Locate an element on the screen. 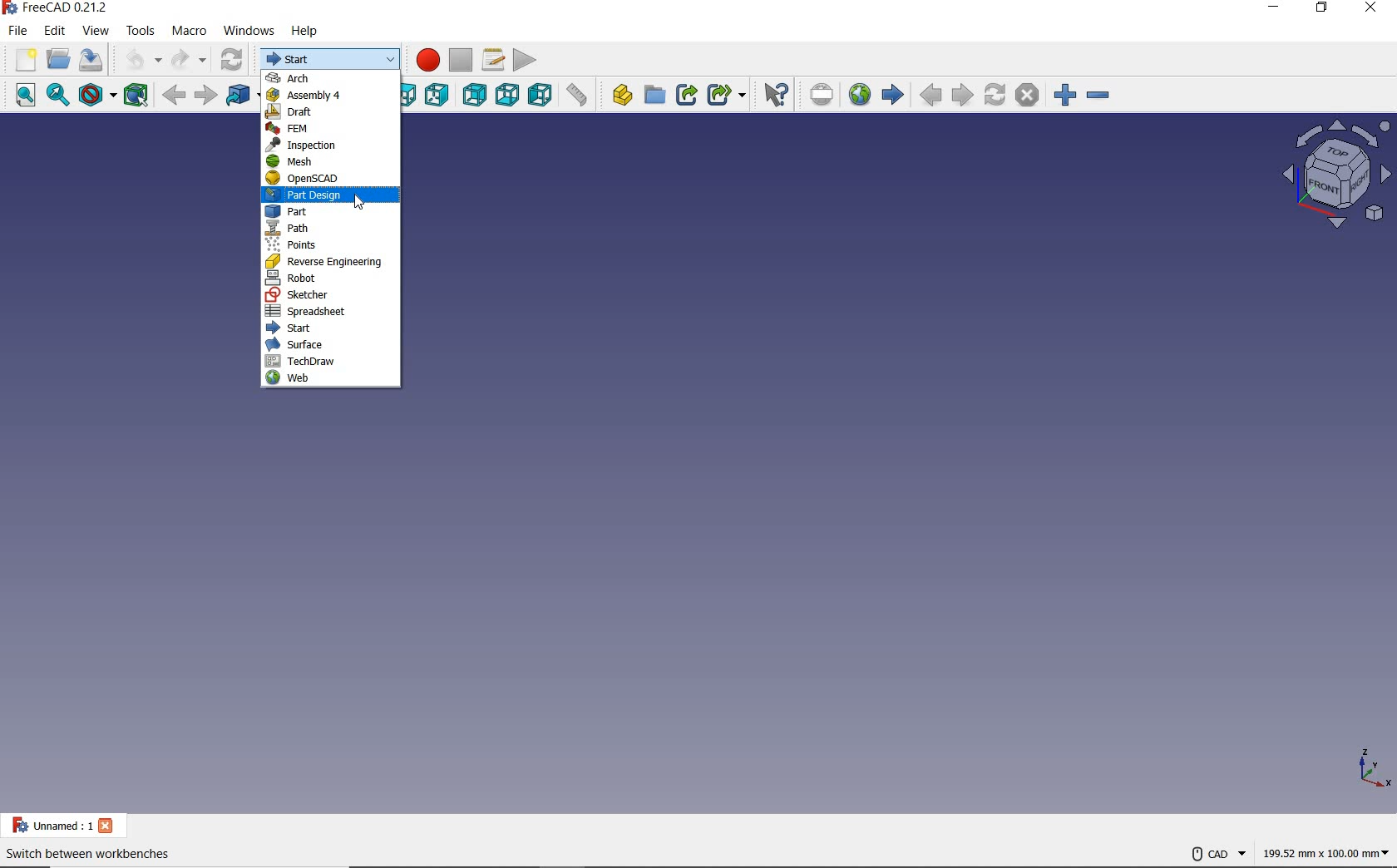 The width and height of the screenshot is (1397, 868). WHAT'S THIS is located at coordinates (773, 96).